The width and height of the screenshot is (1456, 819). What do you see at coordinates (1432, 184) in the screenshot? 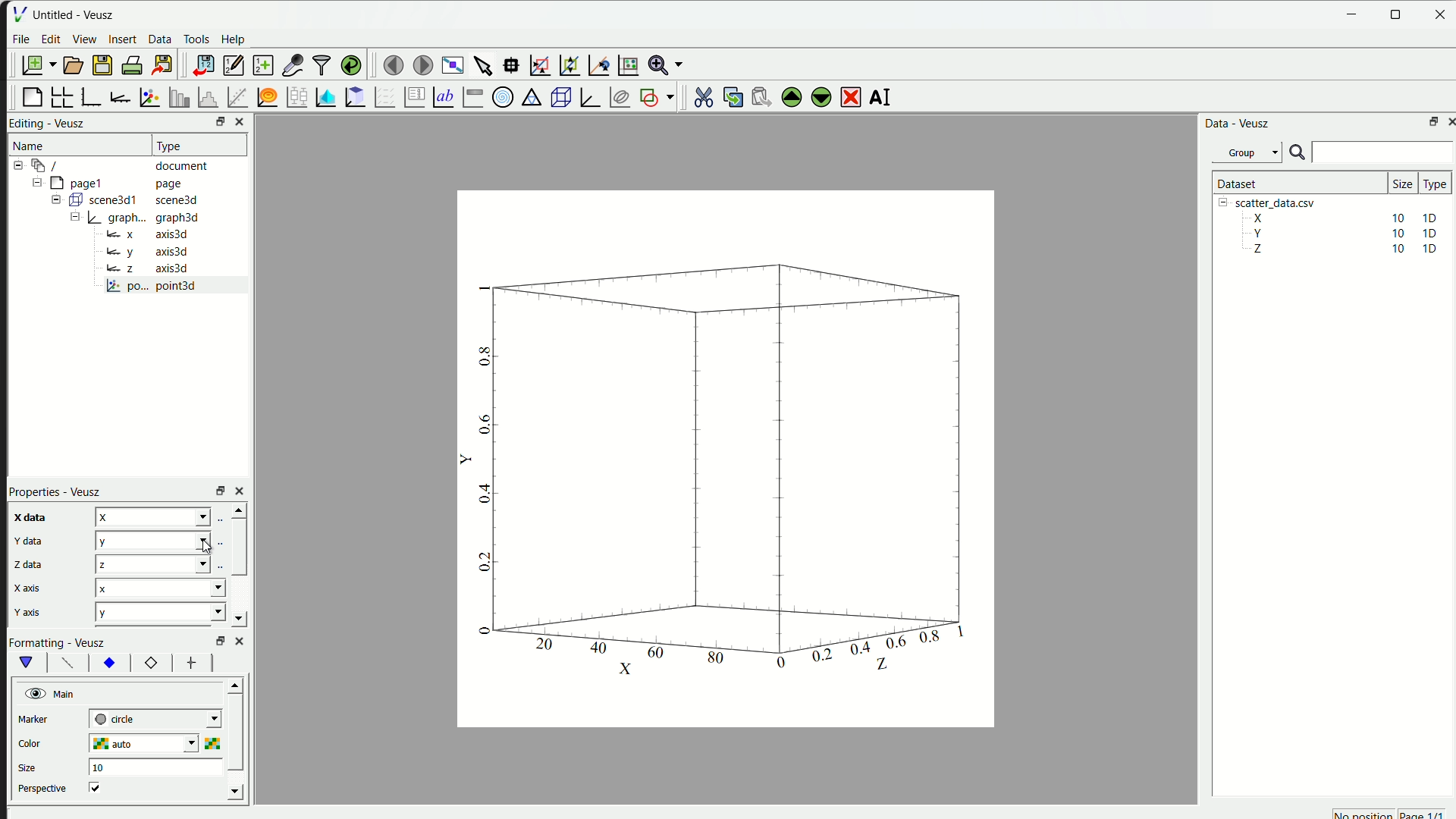
I see `| Type` at bounding box center [1432, 184].